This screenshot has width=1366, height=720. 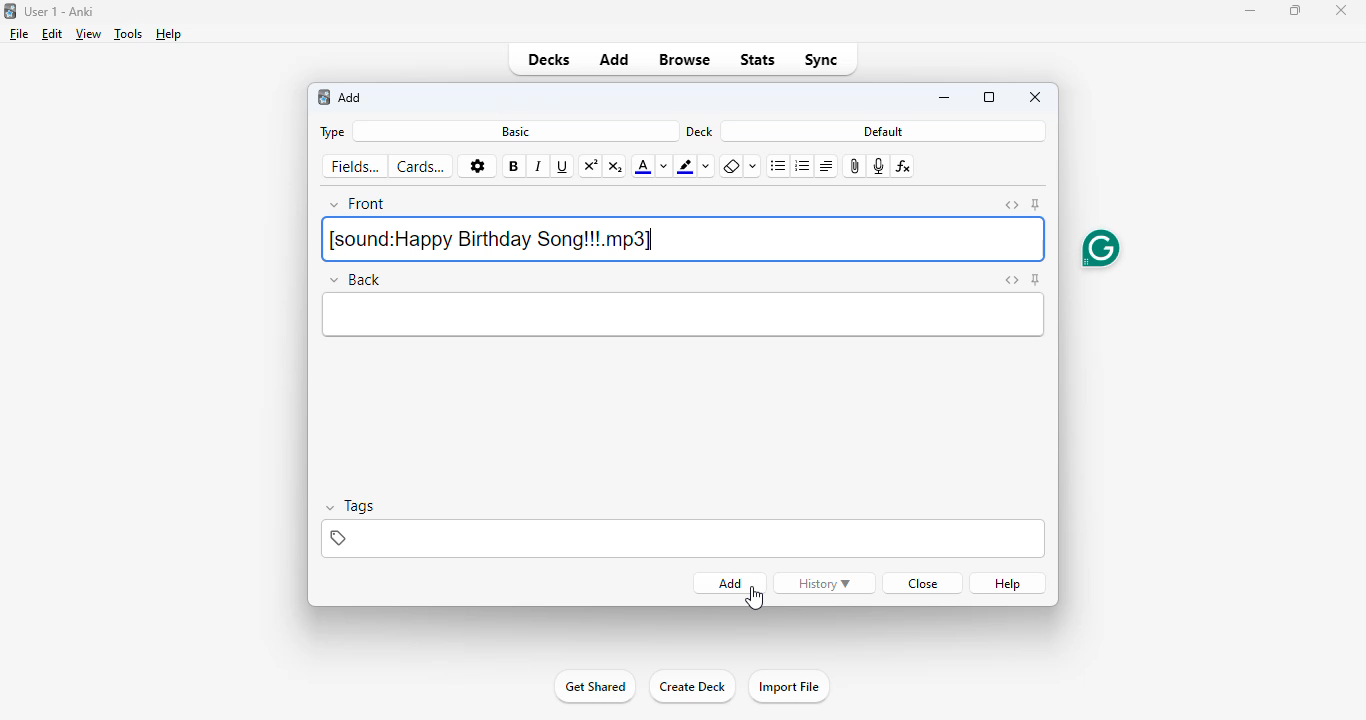 I want to click on fields, so click(x=354, y=166).